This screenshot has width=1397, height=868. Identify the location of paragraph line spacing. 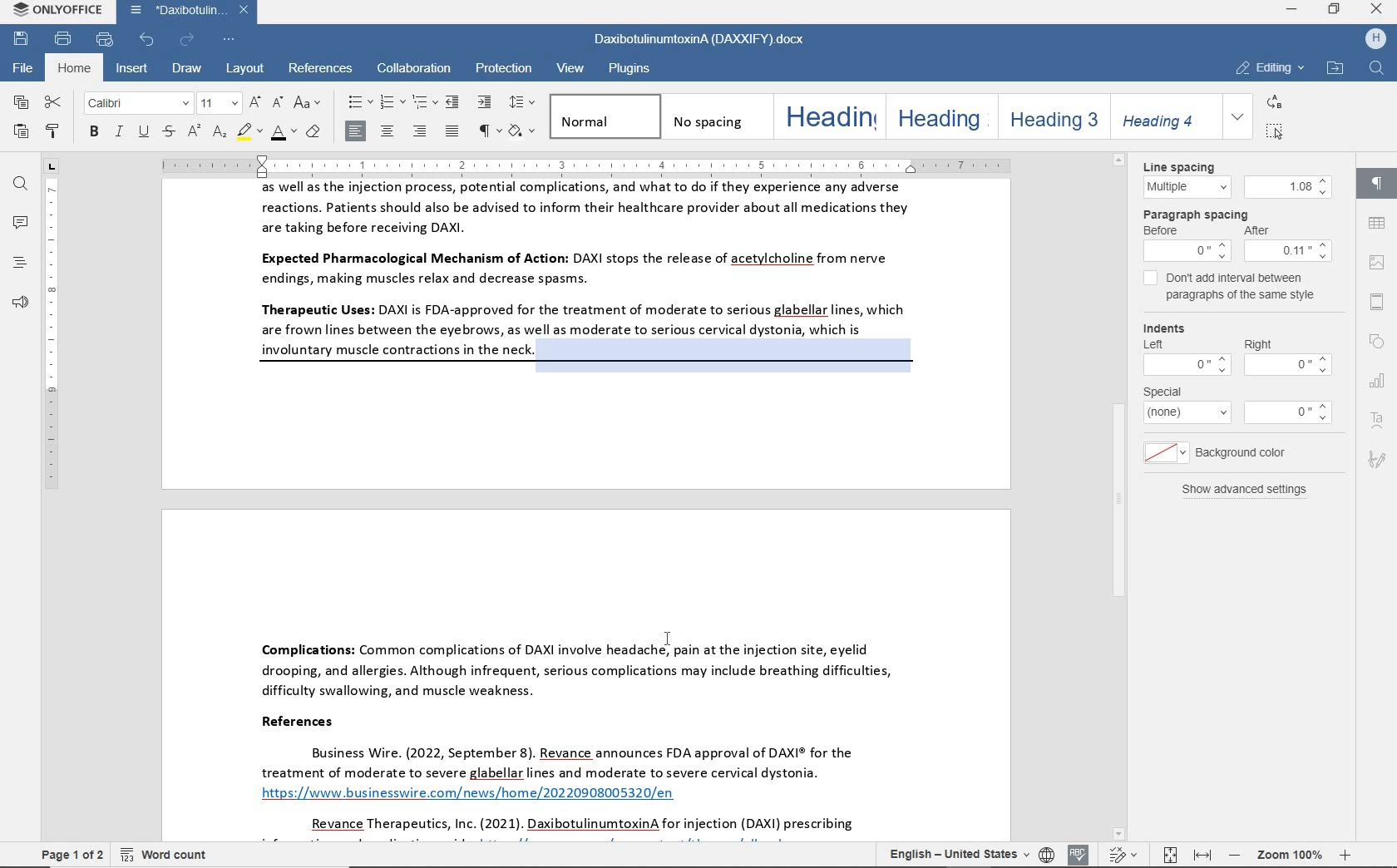
(523, 102).